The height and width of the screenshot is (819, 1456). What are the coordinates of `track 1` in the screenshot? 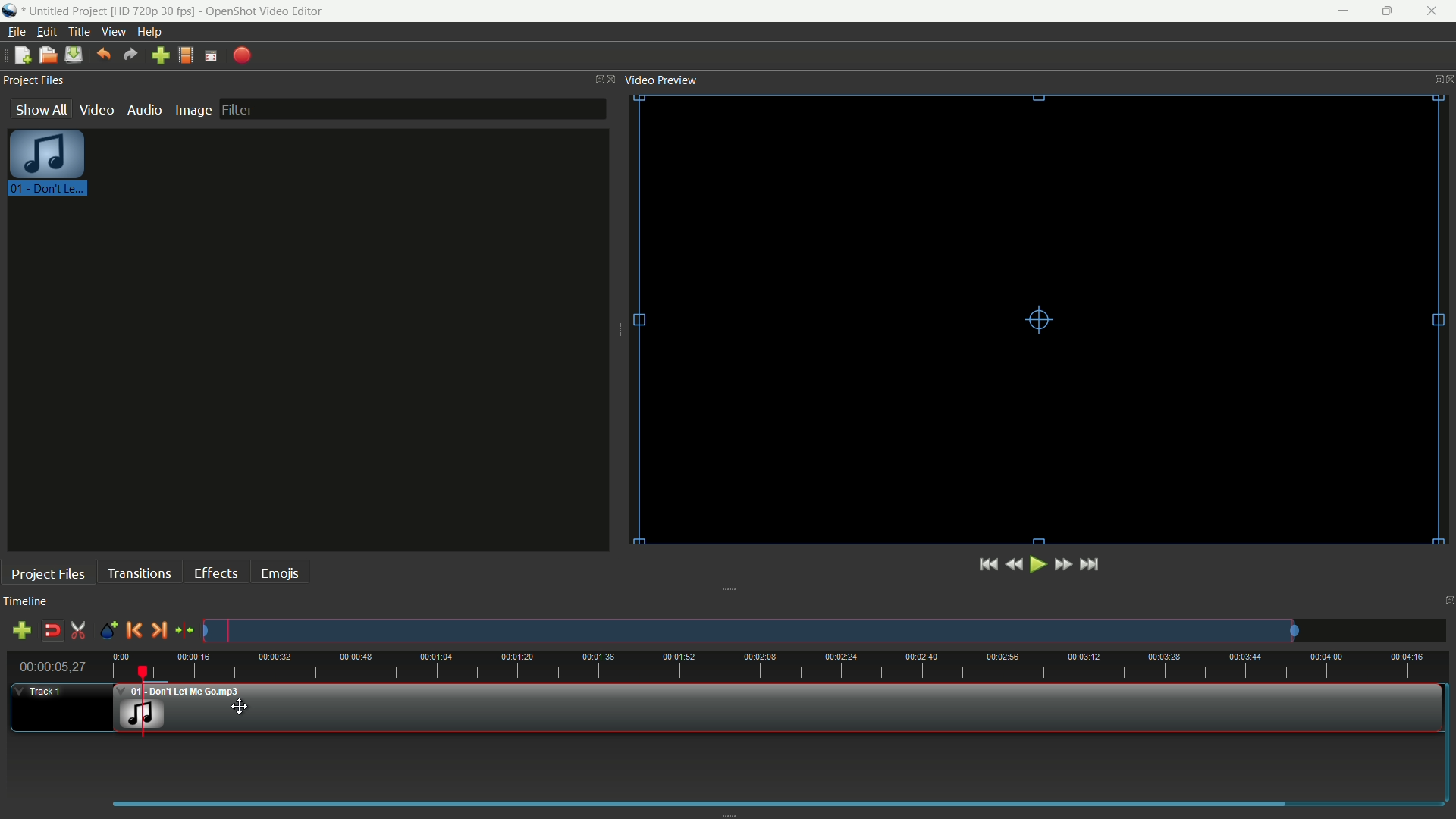 It's located at (39, 692).